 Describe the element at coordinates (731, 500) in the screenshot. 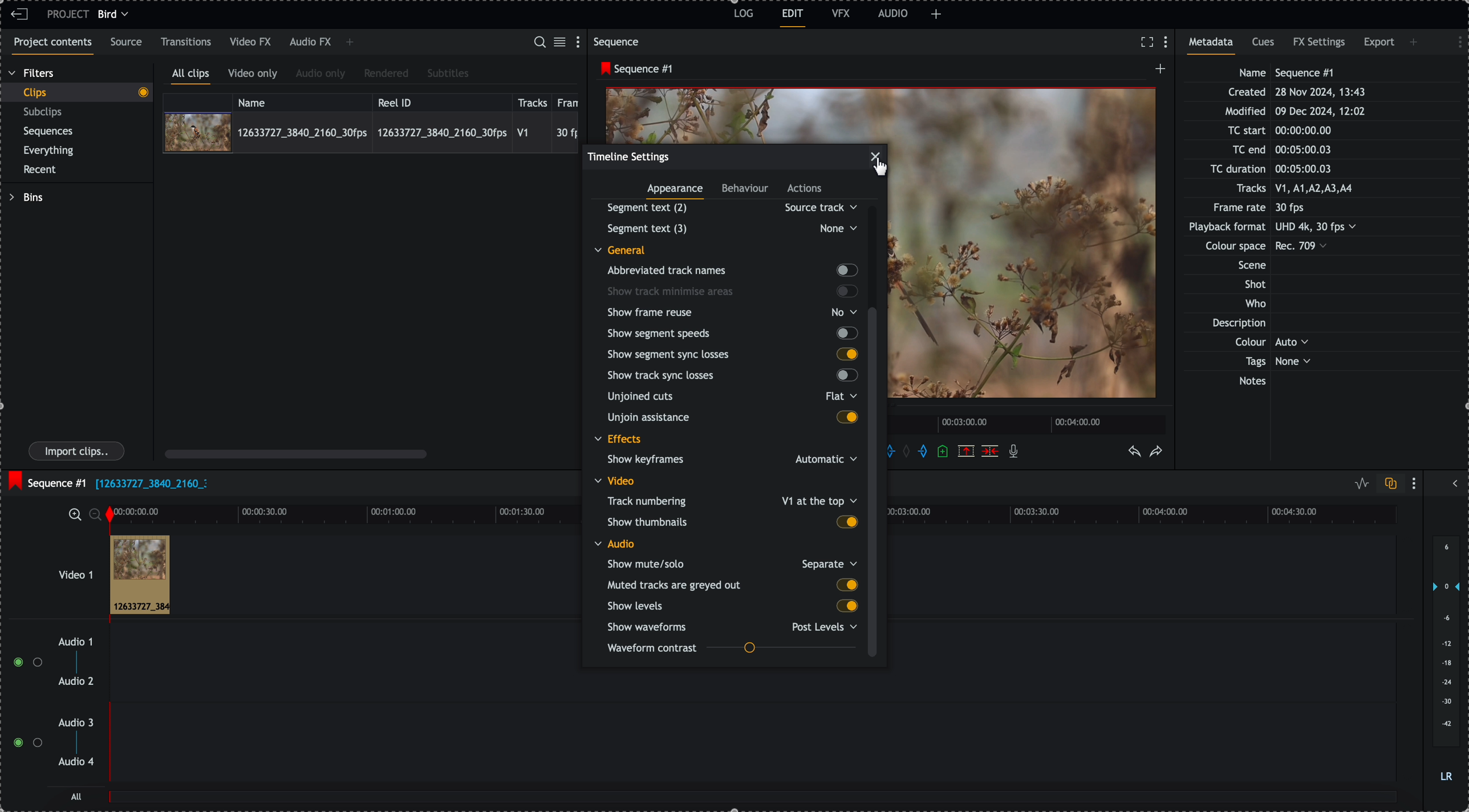

I see `track numbering` at that location.